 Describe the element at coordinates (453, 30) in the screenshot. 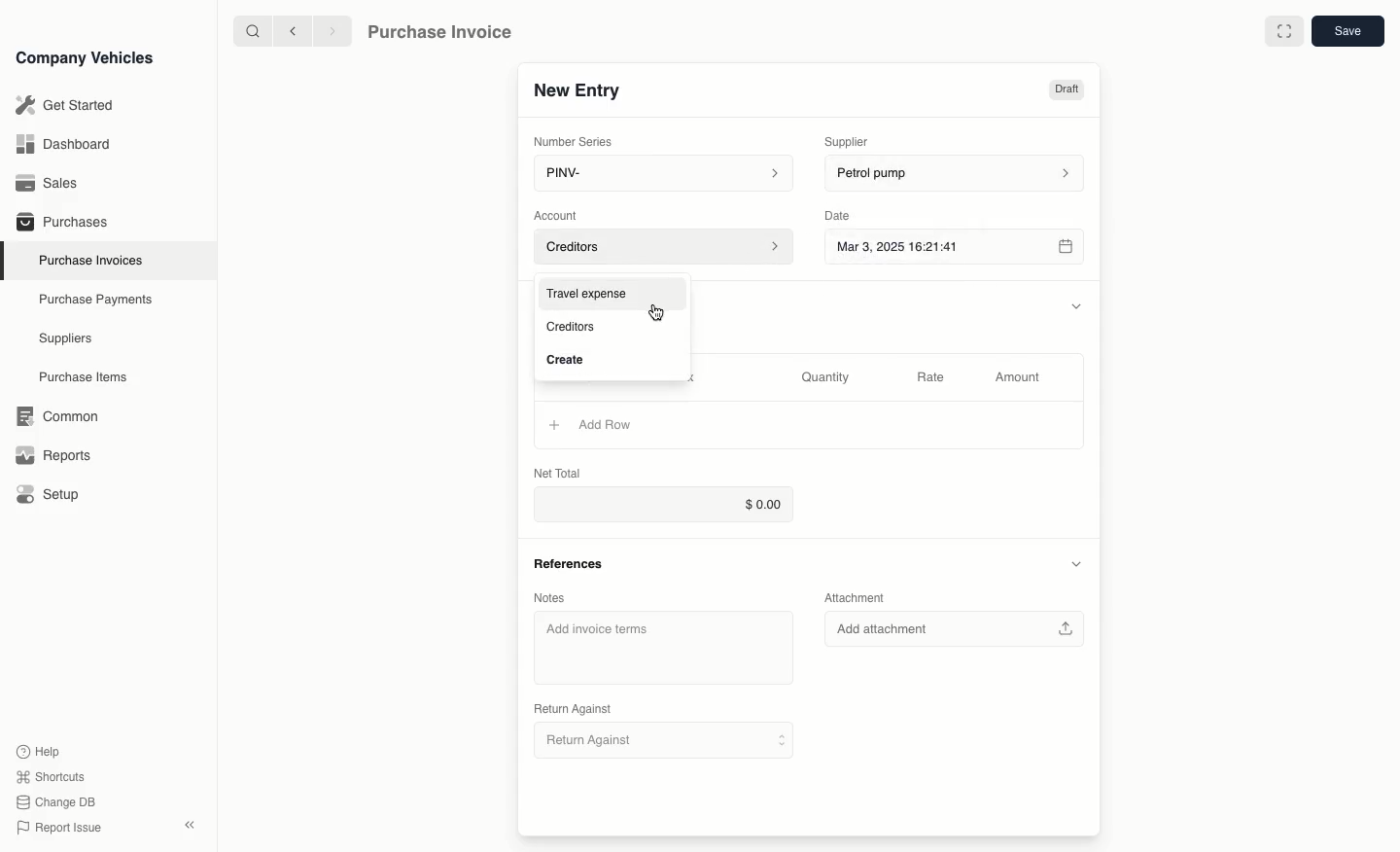

I see `Purchase Invoice` at that location.